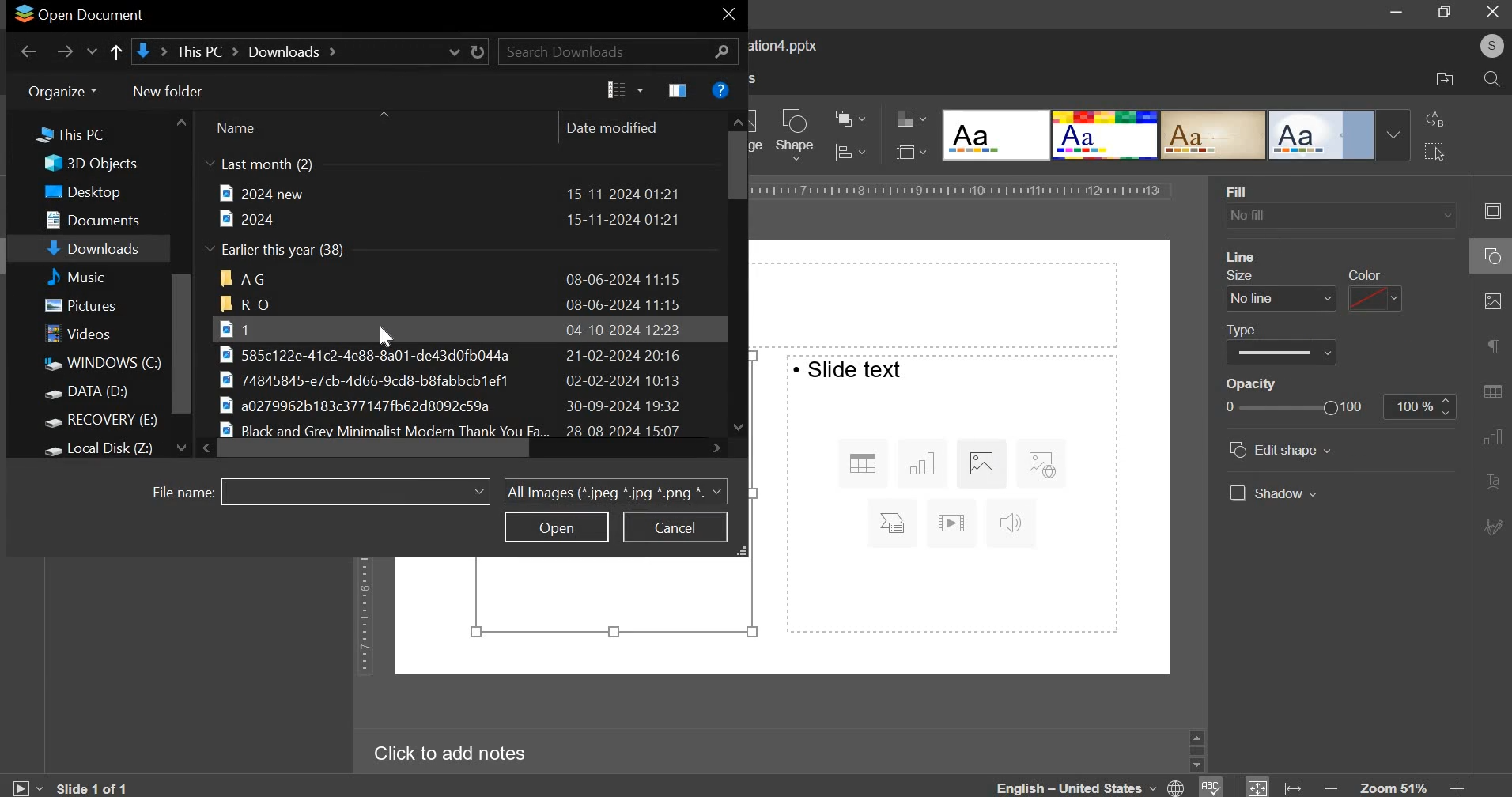  What do you see at coordinates (1215, 136) in the screenshot?
I see `design` at bounding box center [1215, 136].